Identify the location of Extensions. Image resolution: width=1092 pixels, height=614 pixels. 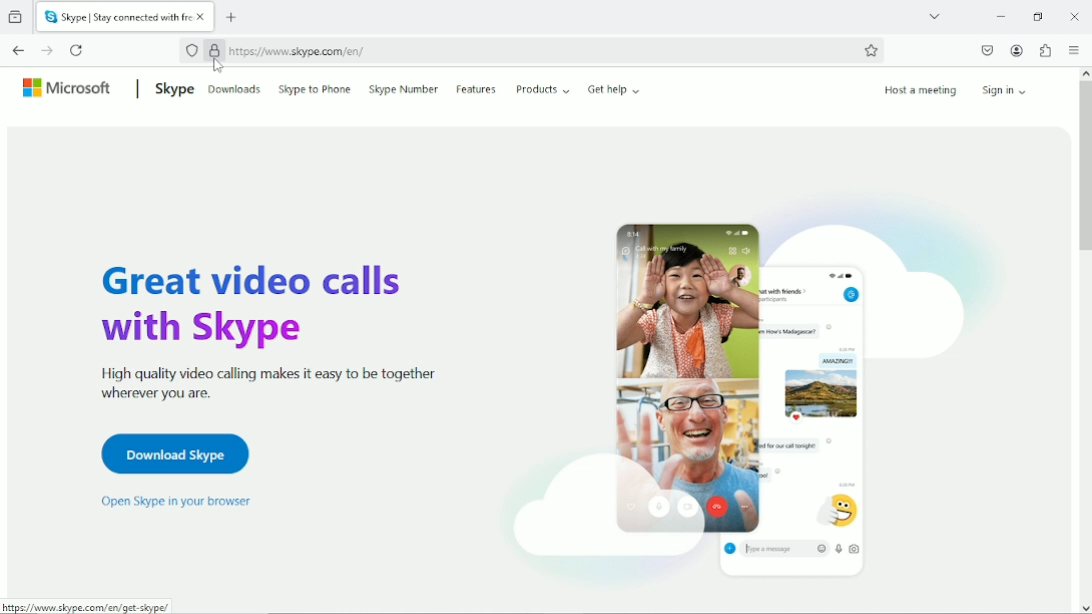
(1045, 50).